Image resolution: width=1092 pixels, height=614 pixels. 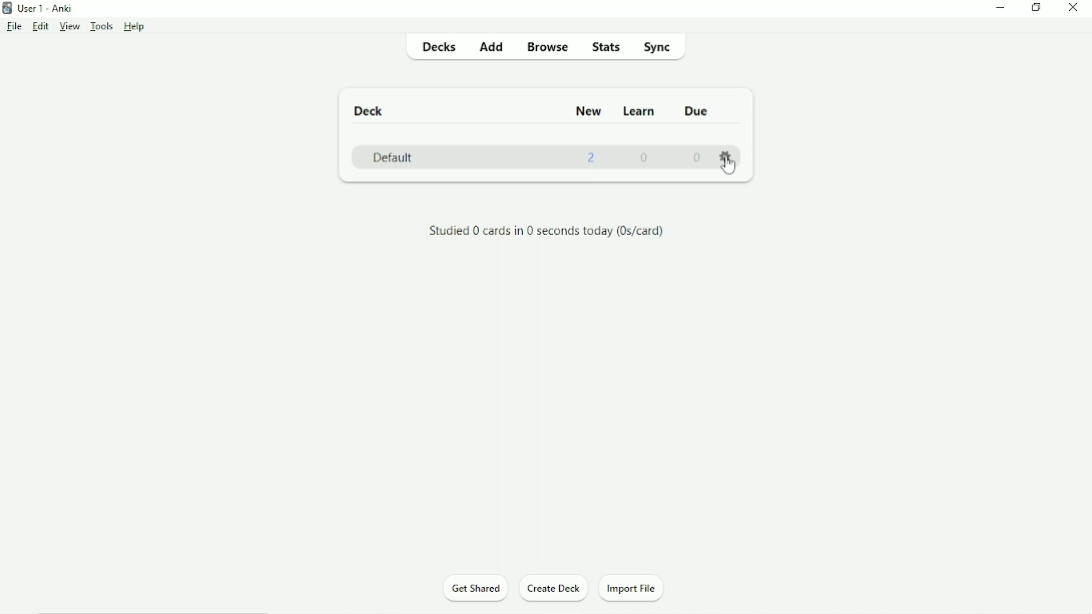 What do you see at coordinates (697, 158) in the screenshot?
I see `0` at bounding box center [697, 158].